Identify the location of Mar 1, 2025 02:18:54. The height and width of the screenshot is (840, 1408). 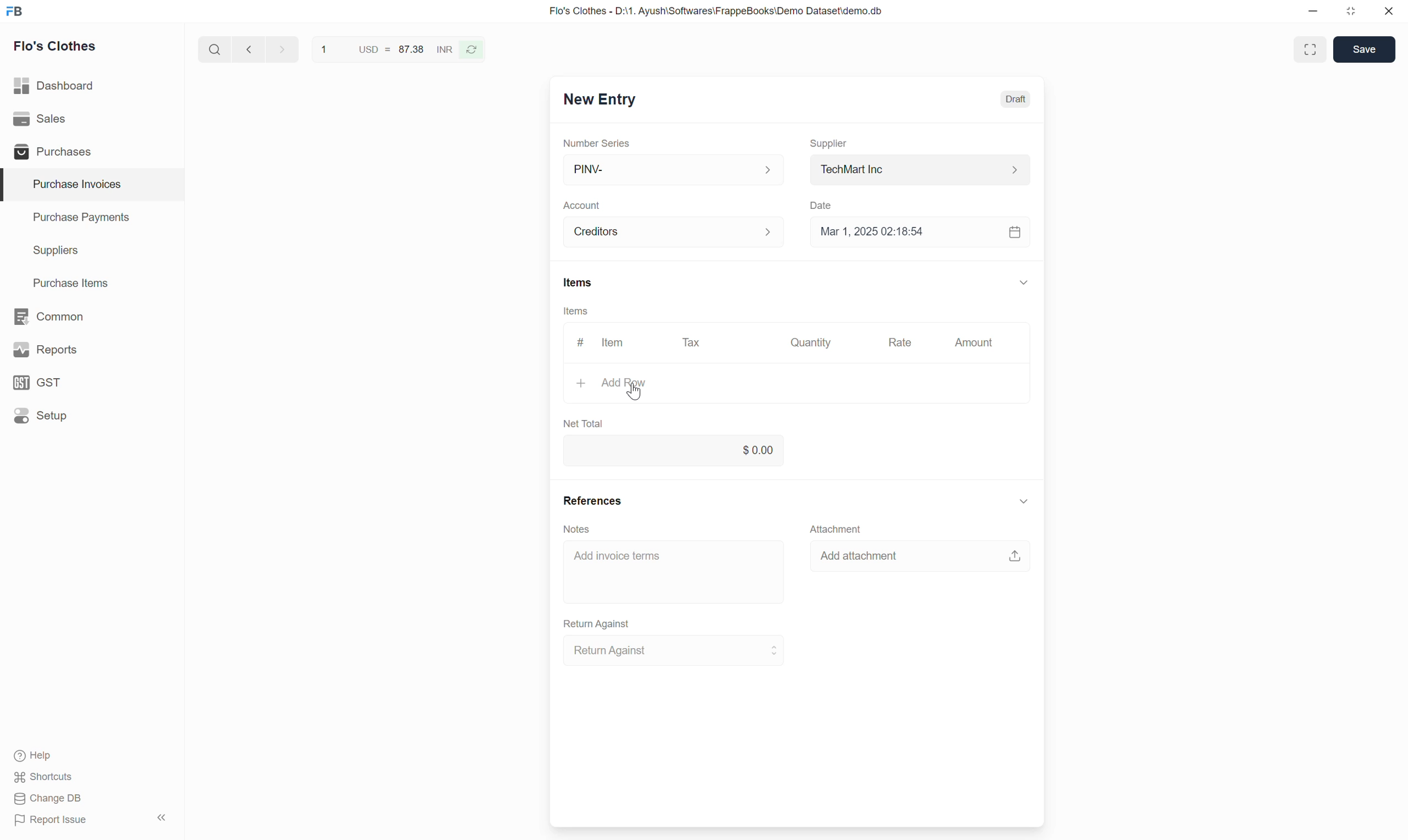
(921, 232).